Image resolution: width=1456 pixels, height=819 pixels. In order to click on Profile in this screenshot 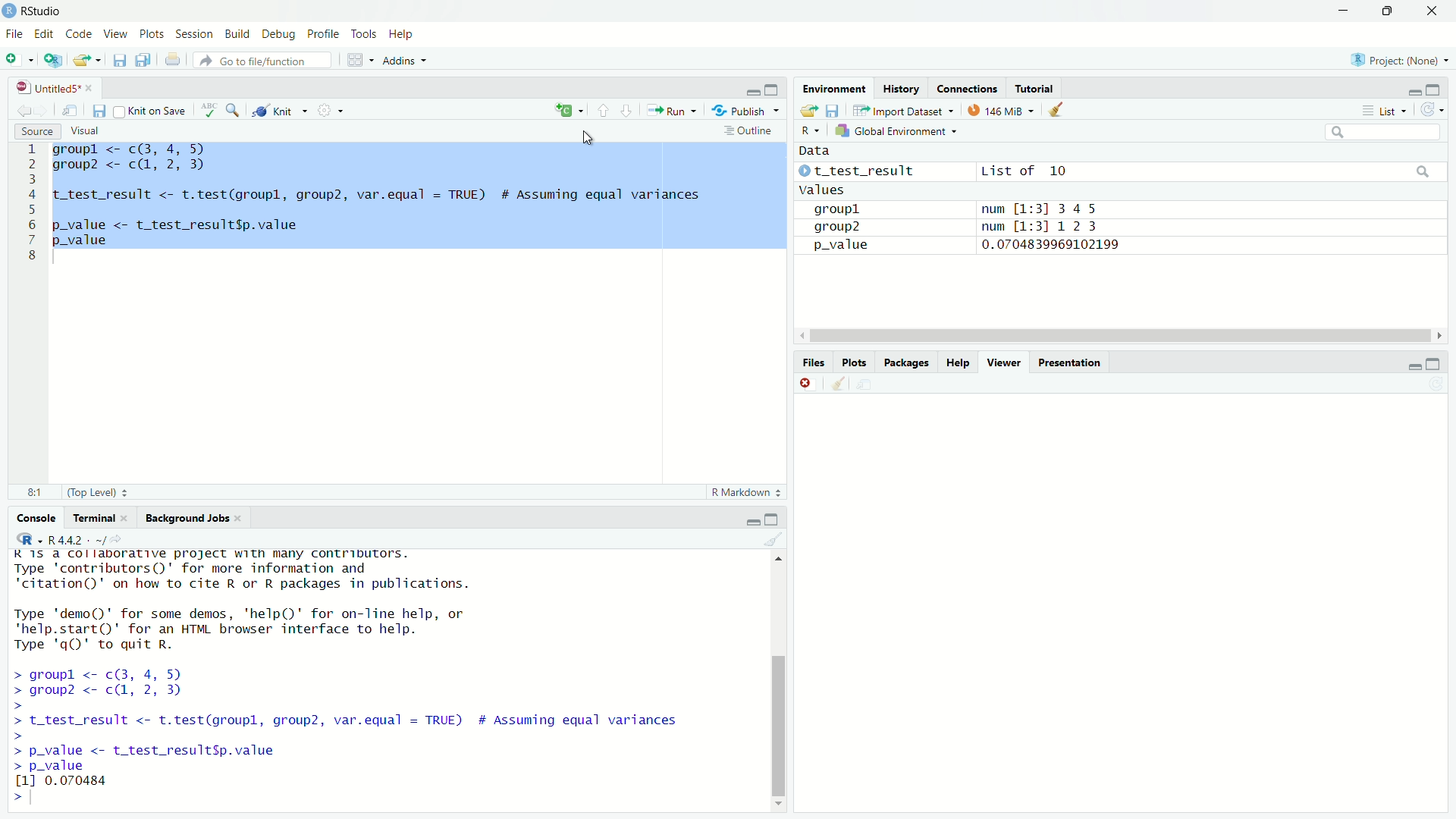, I will do `click(325, 33)`.